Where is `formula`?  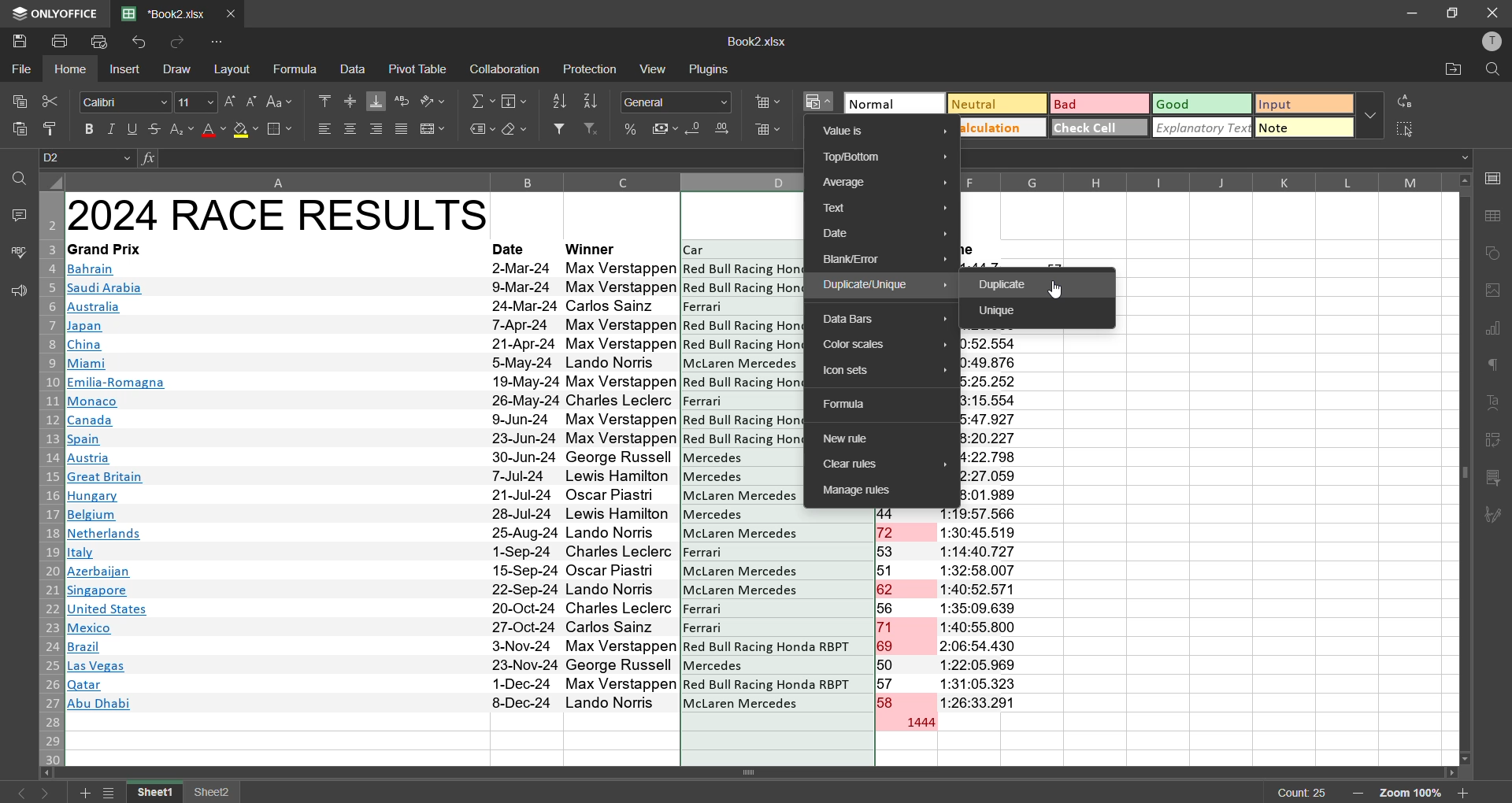
formula is located at coordinates (860, 405).